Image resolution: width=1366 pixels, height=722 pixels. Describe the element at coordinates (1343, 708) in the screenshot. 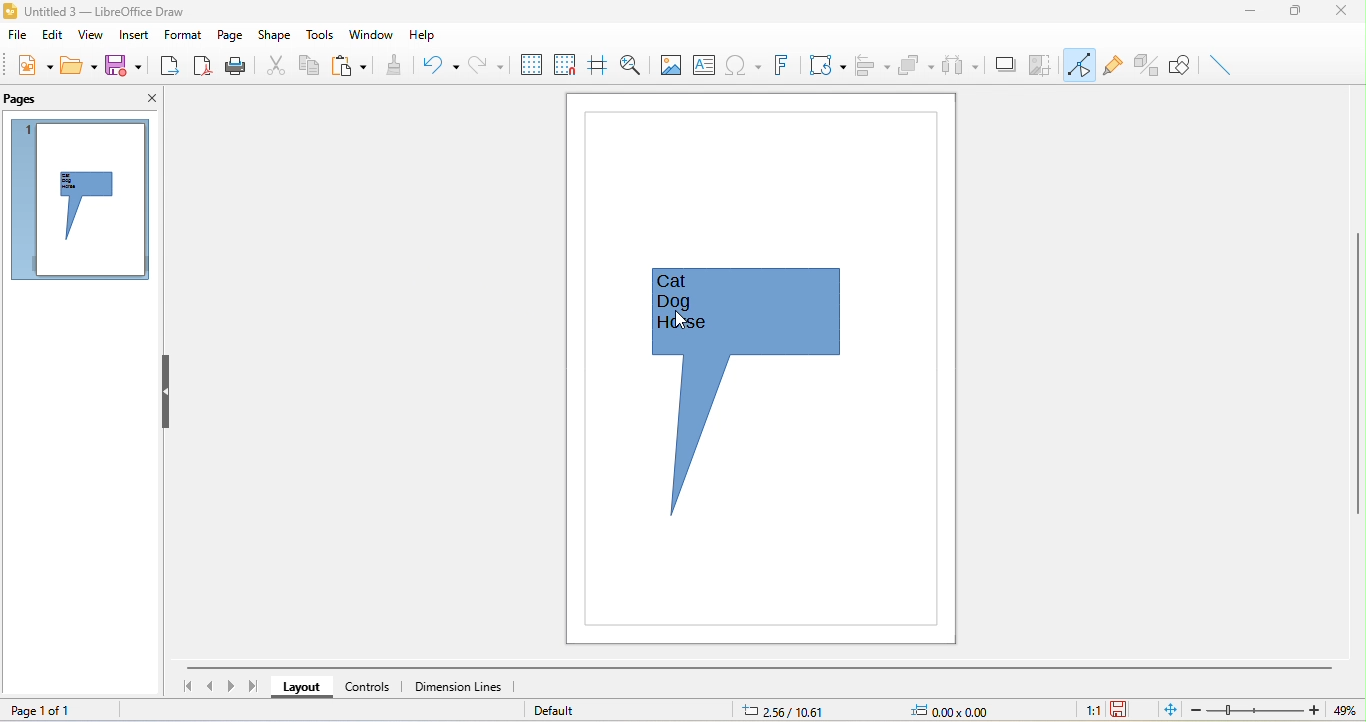

I see `49%` at that location.